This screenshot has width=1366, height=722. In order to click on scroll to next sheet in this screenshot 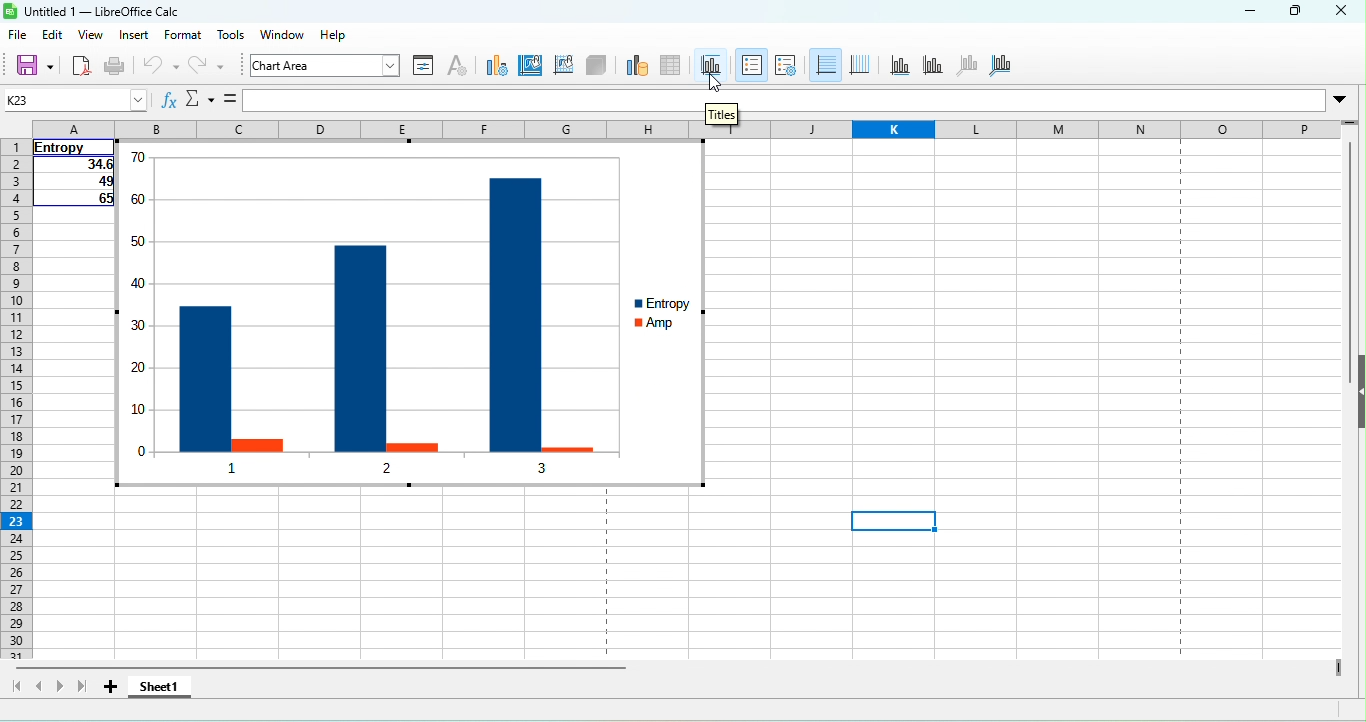, I will do `click(59, 687)`.